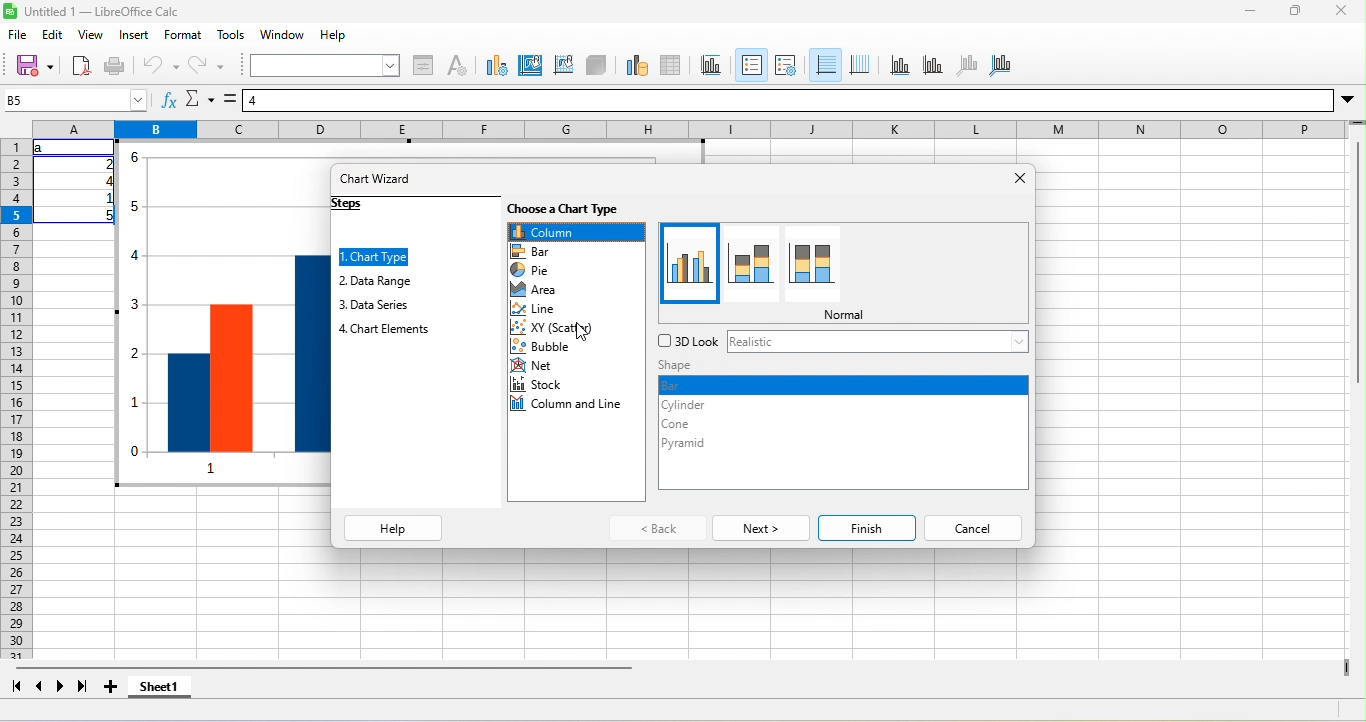  Describe the element at coordinates (374, 257) in the screenshot. I see `chart type` at that location.